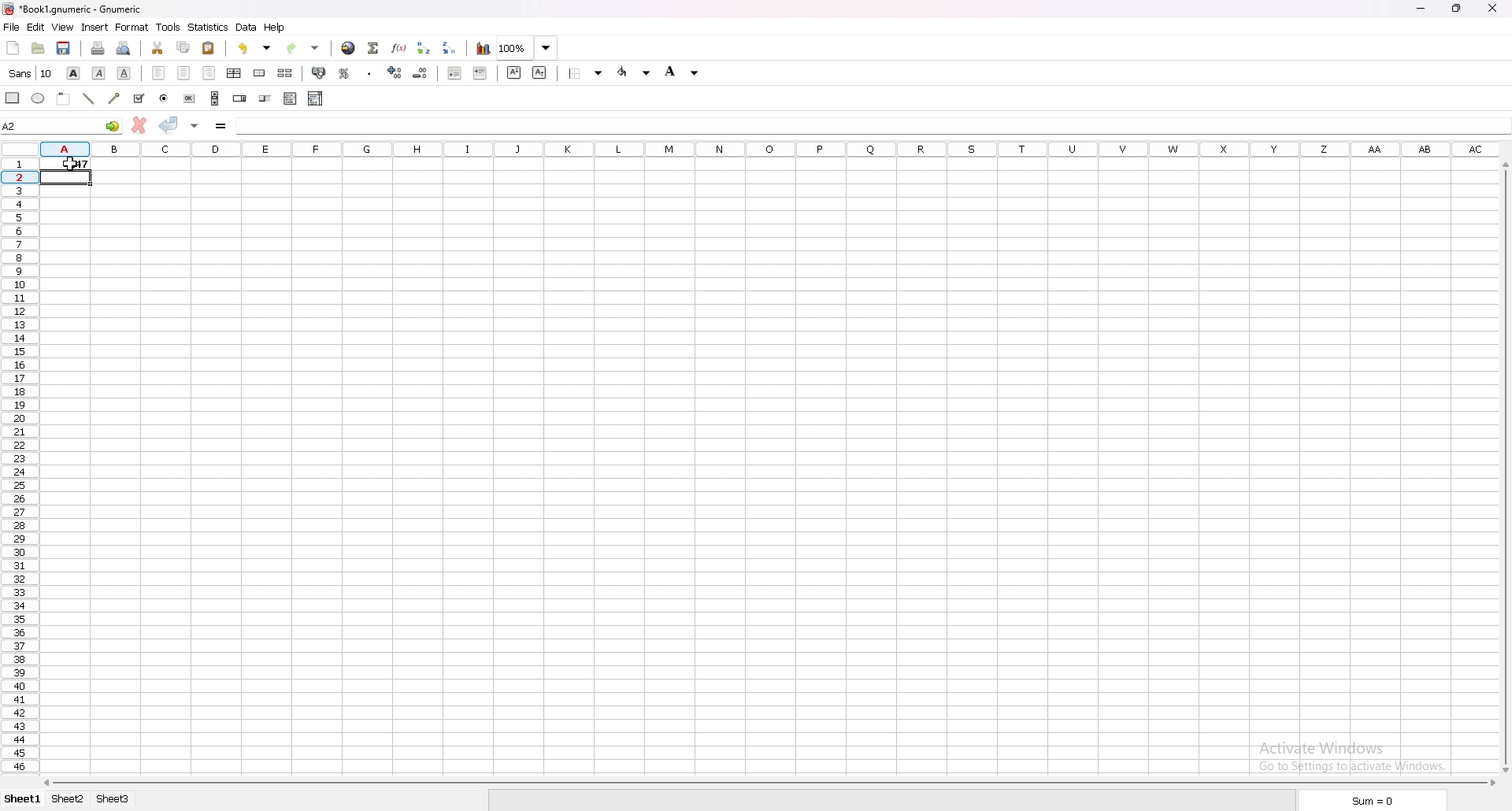 The image size is (1512, 811). I want to click on split merged cells, so click(285, 73).